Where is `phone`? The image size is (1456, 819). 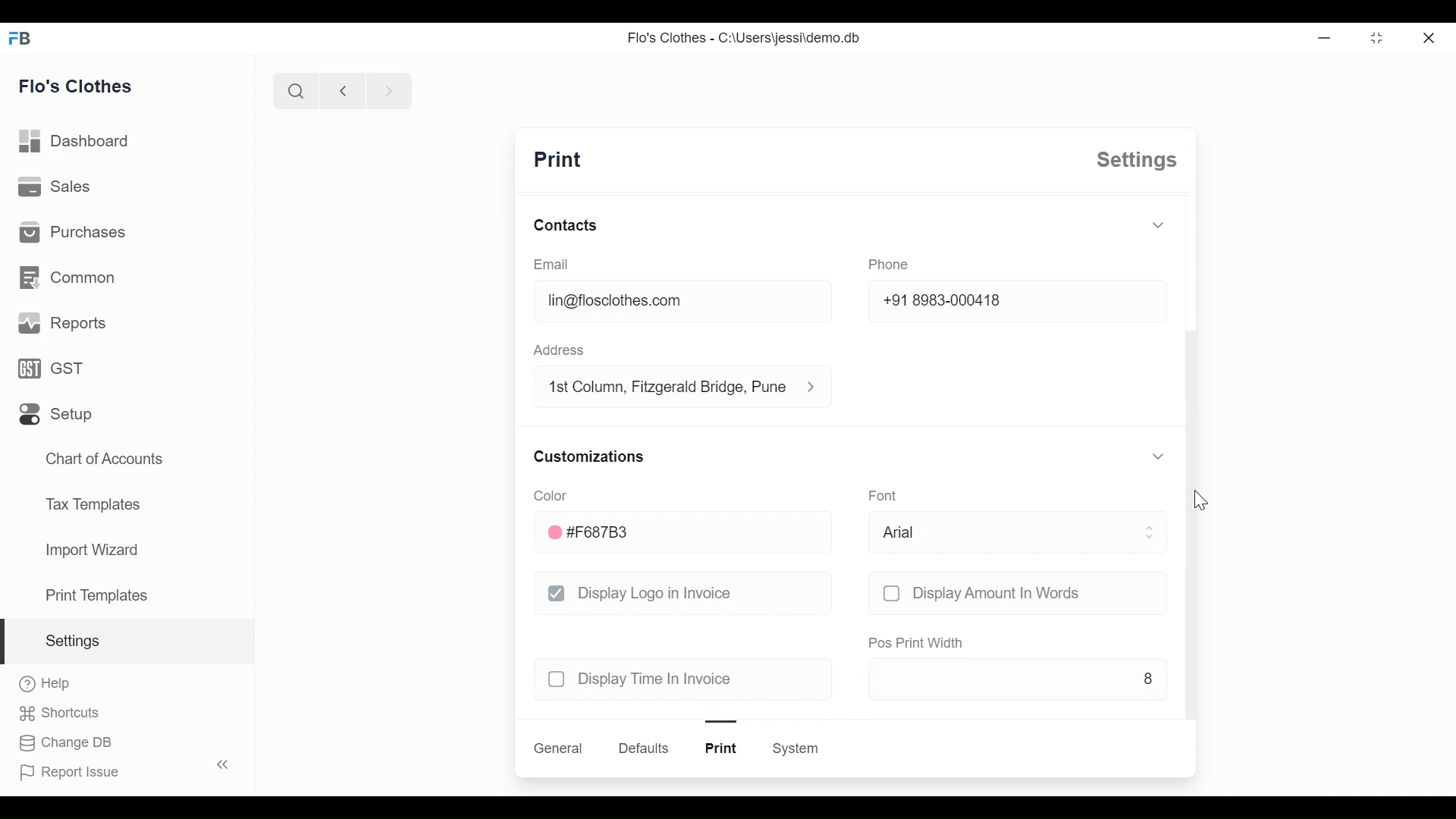 phone is located at coordinates (889, 265).